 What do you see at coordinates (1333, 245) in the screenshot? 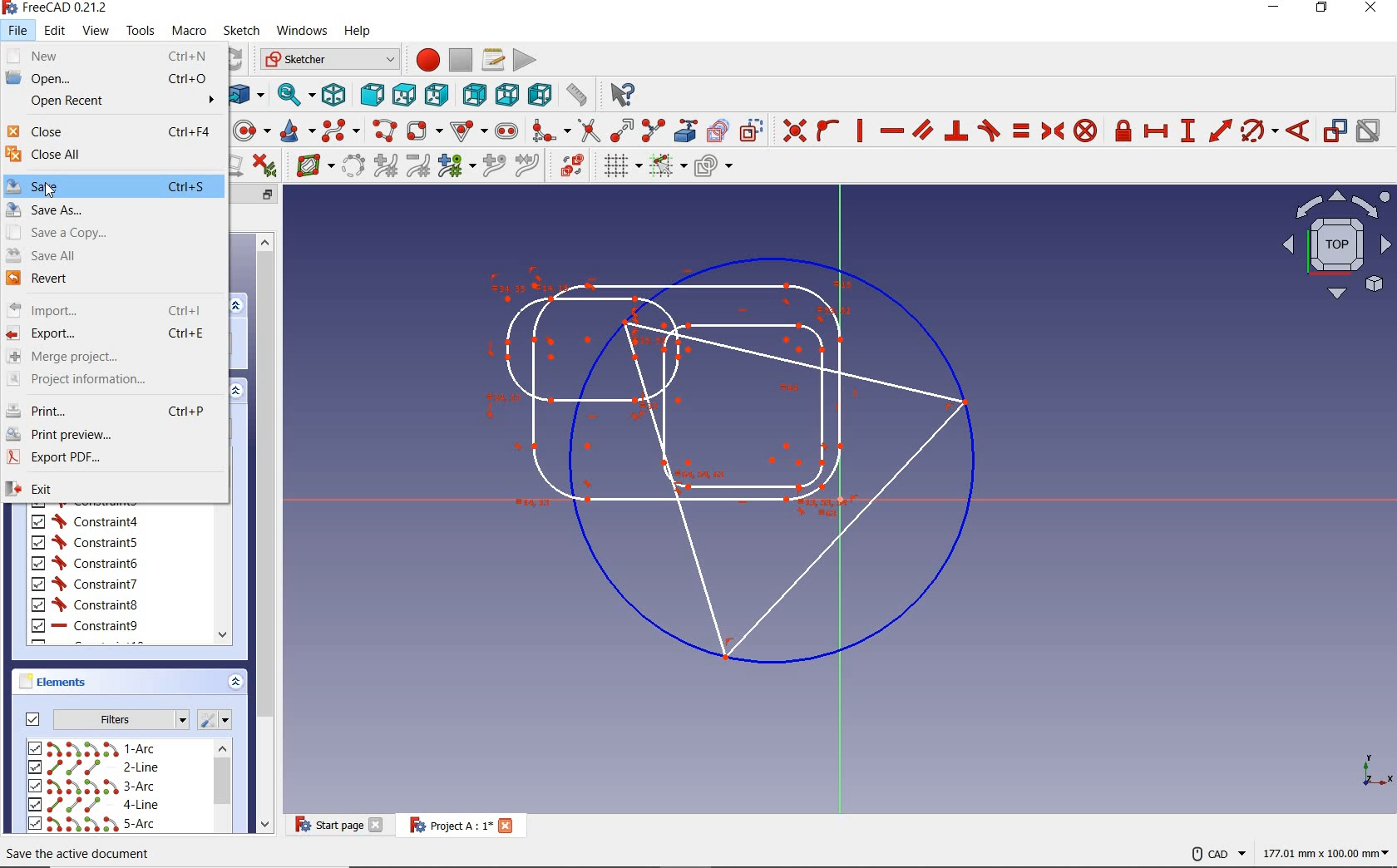
I see `VIEW` at bounding box center [1333, 245].